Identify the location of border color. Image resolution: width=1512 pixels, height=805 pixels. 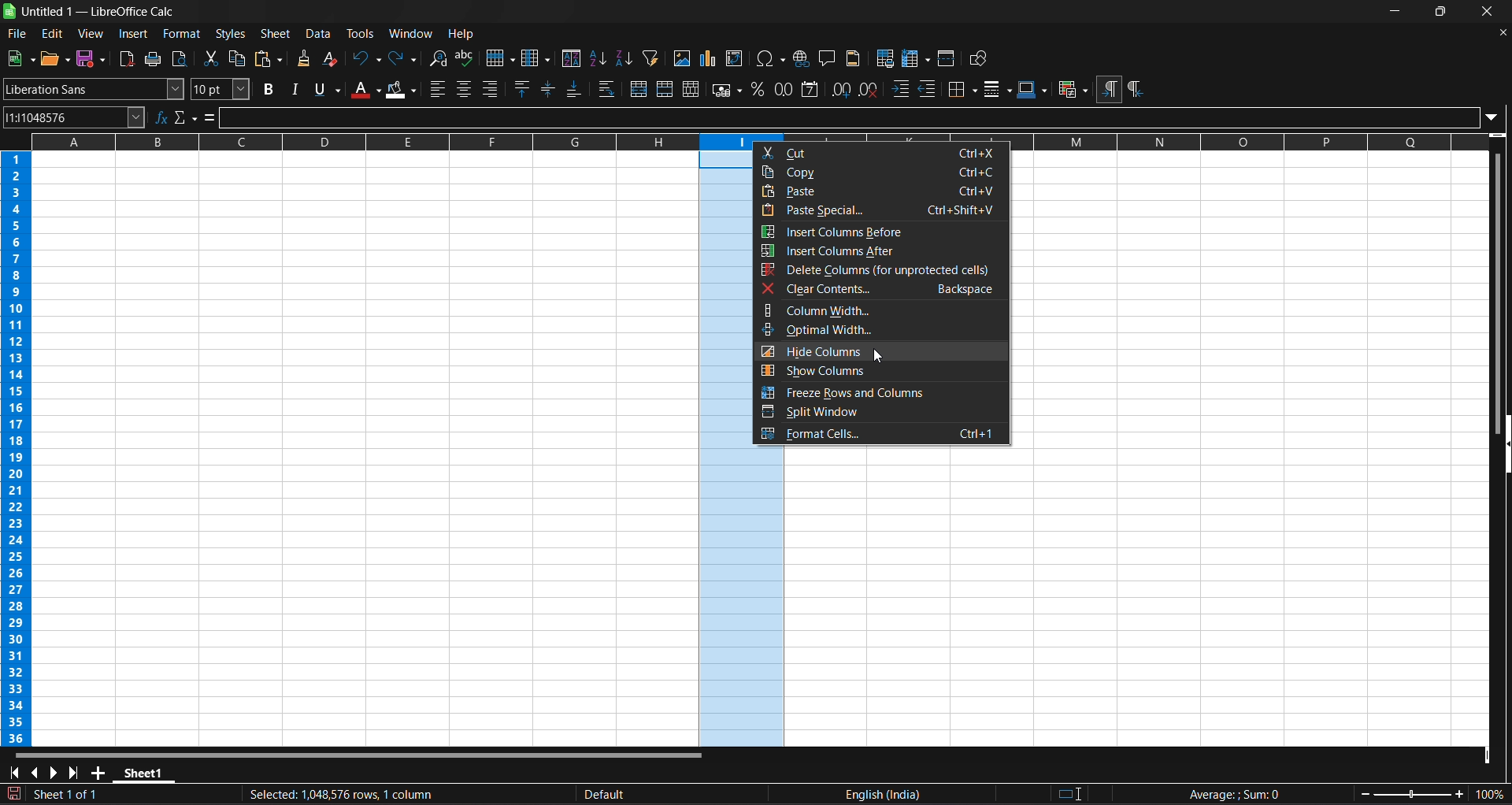
(1034, 87).